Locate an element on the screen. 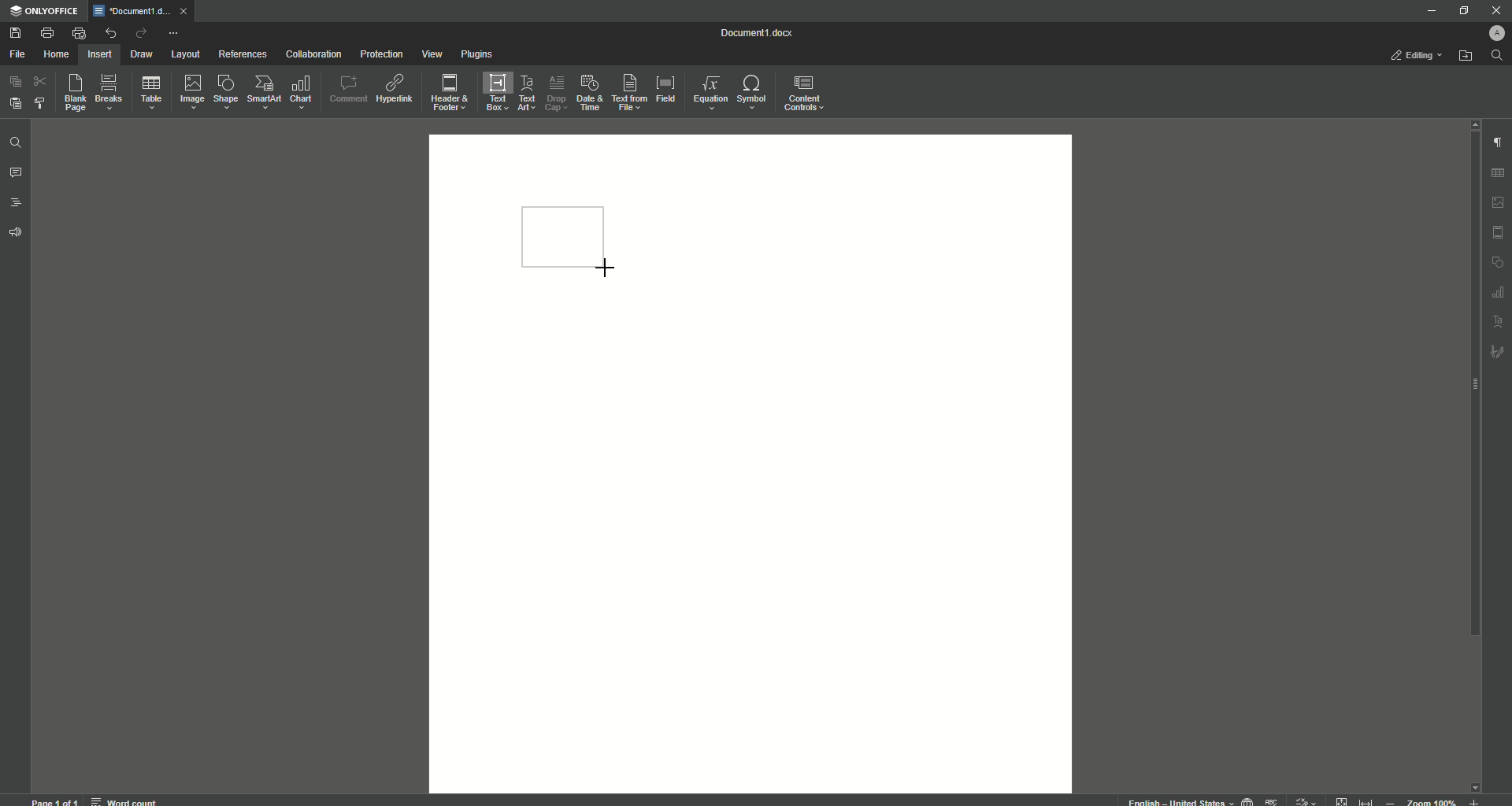  Blank Page is located at coordinates (76, 92).